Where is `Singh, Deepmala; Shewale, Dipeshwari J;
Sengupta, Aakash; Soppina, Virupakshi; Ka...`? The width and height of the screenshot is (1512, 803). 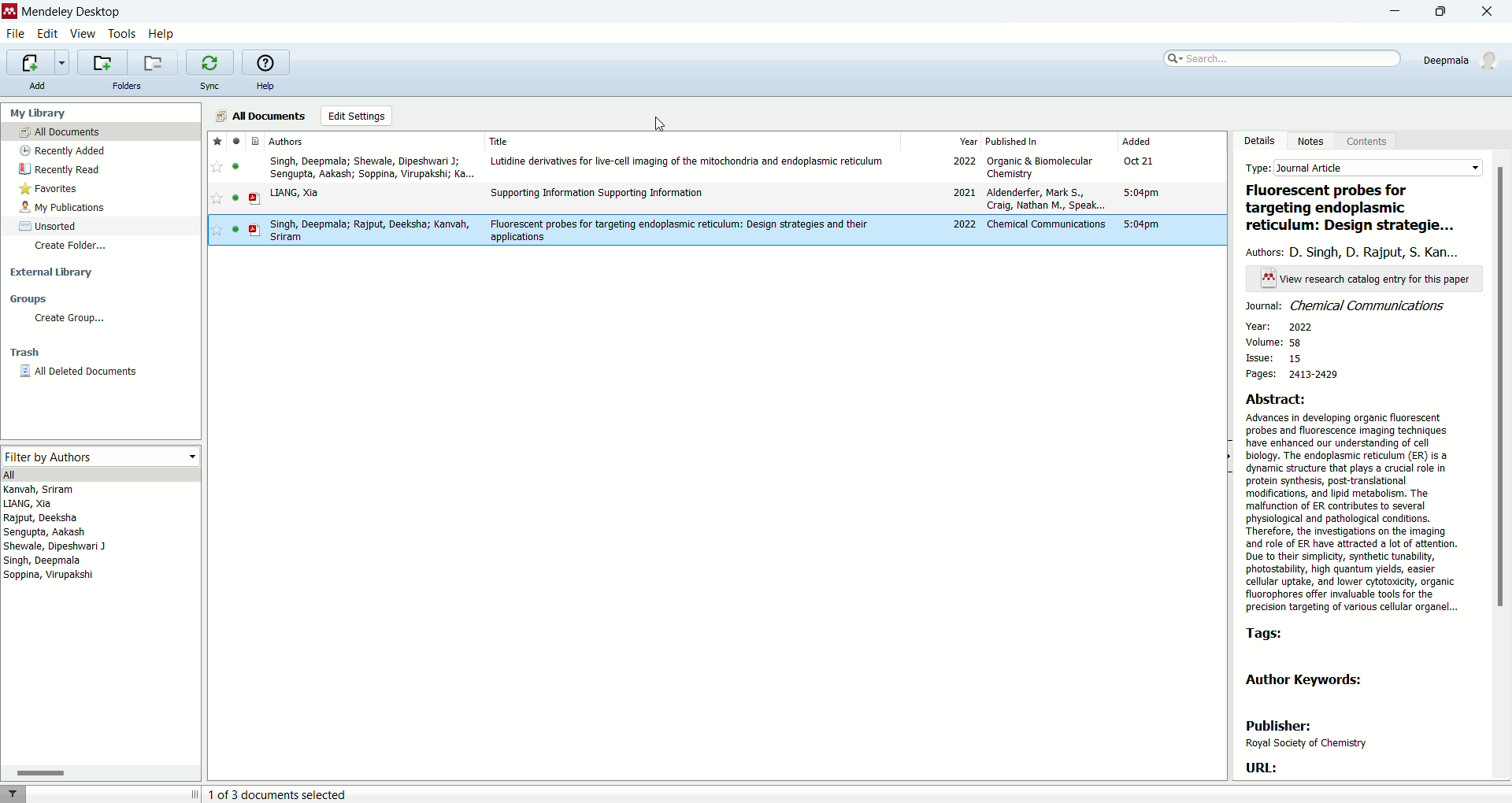
Singh, Deepmala; Shewale, Dipeshwari J;
Sengupta, Aakash; Soppina, Virupakshi; Ka... is located at coordinates (369, 167).